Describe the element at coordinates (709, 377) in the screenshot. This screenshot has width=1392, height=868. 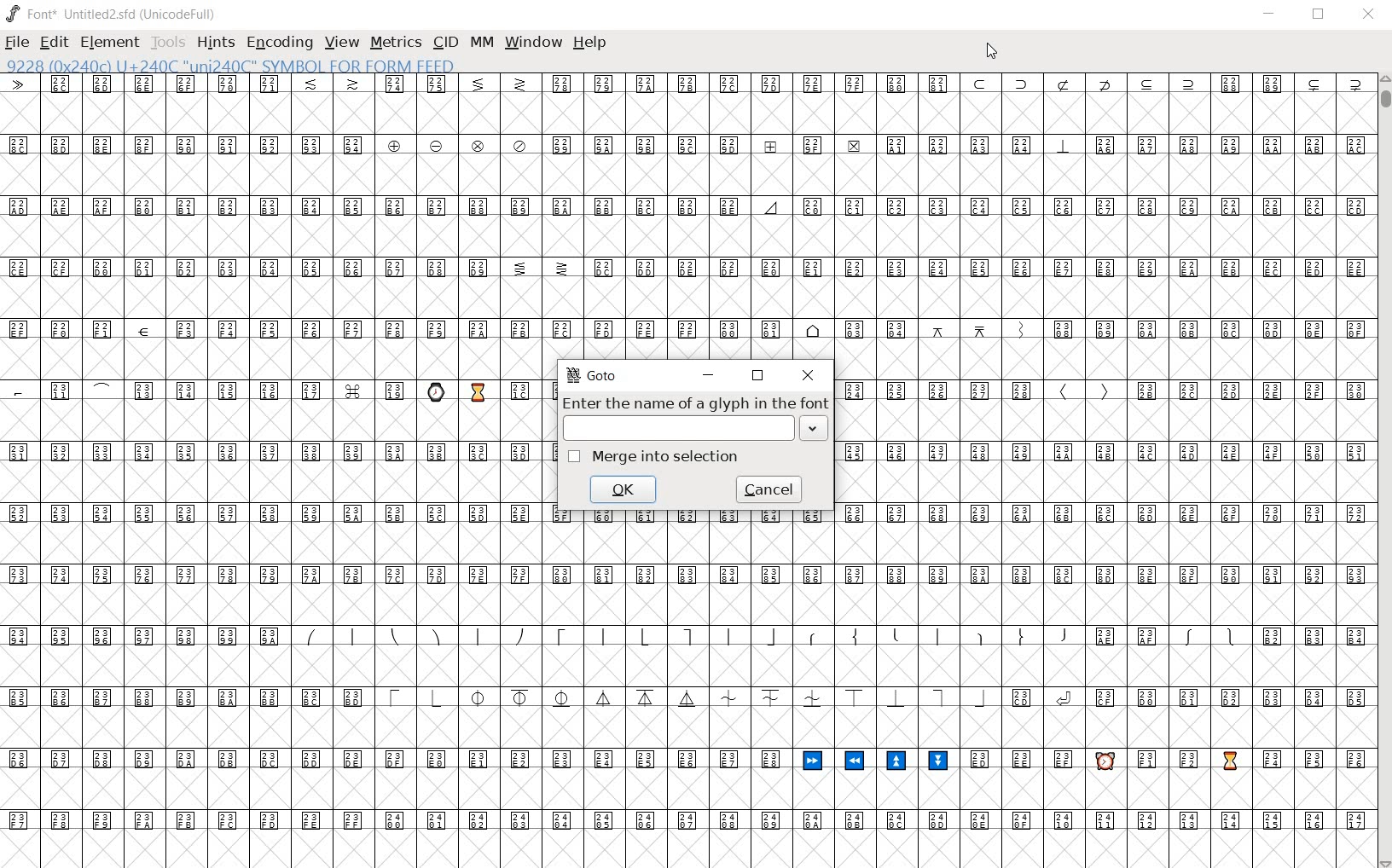
I see `minimize` at that location.